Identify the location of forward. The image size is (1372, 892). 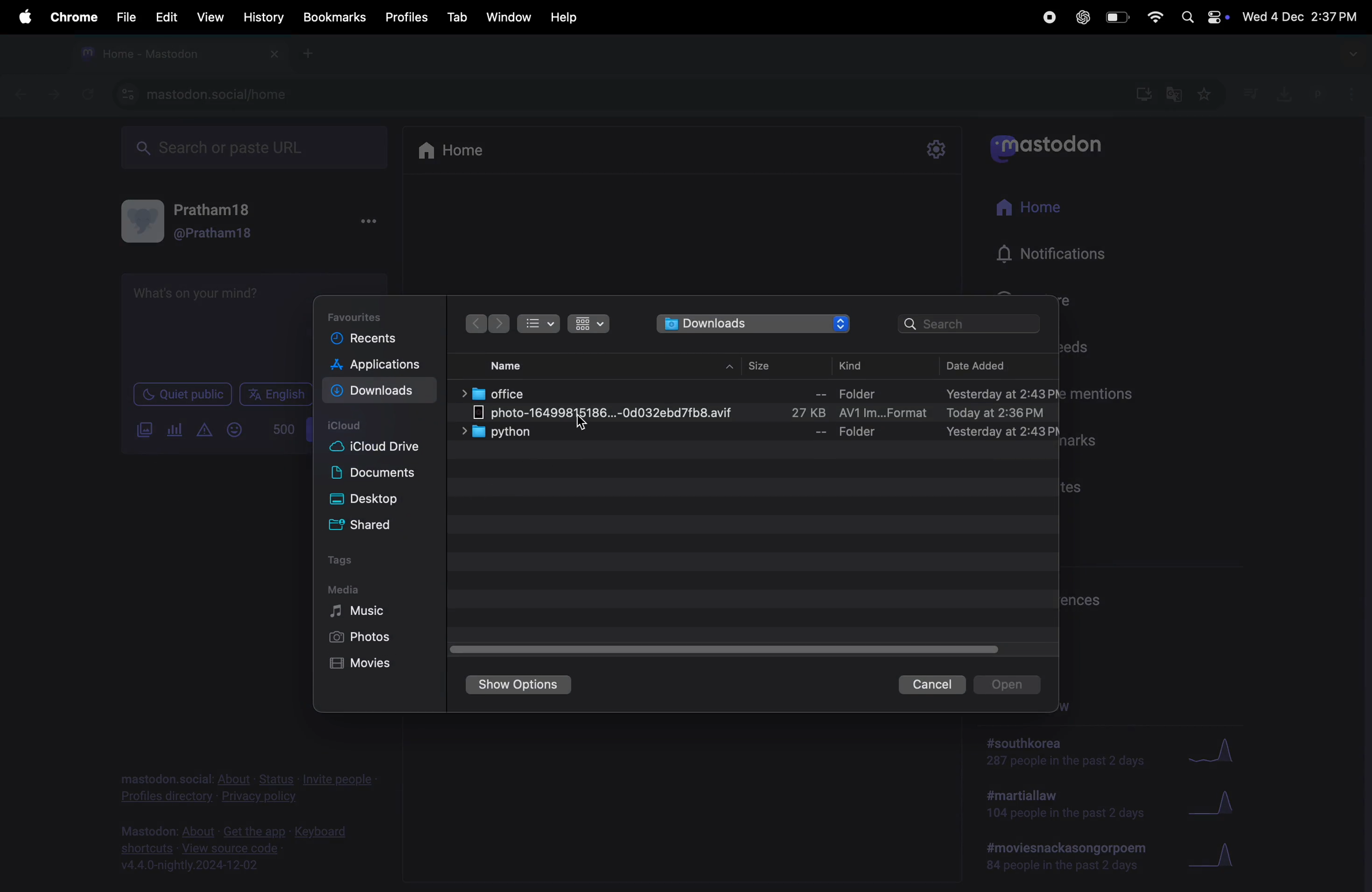
(54, 93).